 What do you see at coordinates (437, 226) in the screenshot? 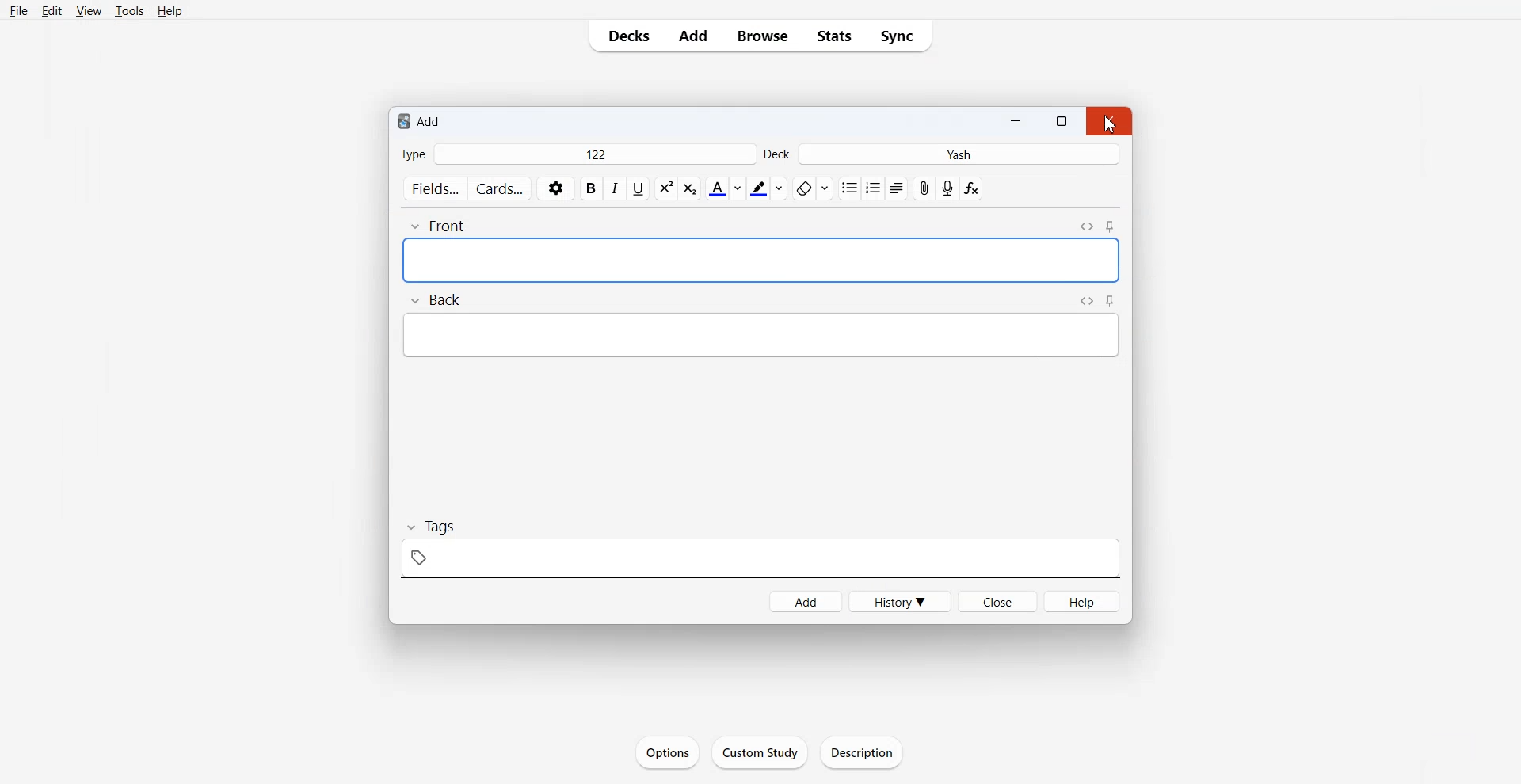
I see `Front` at bounding box center [437, 226].